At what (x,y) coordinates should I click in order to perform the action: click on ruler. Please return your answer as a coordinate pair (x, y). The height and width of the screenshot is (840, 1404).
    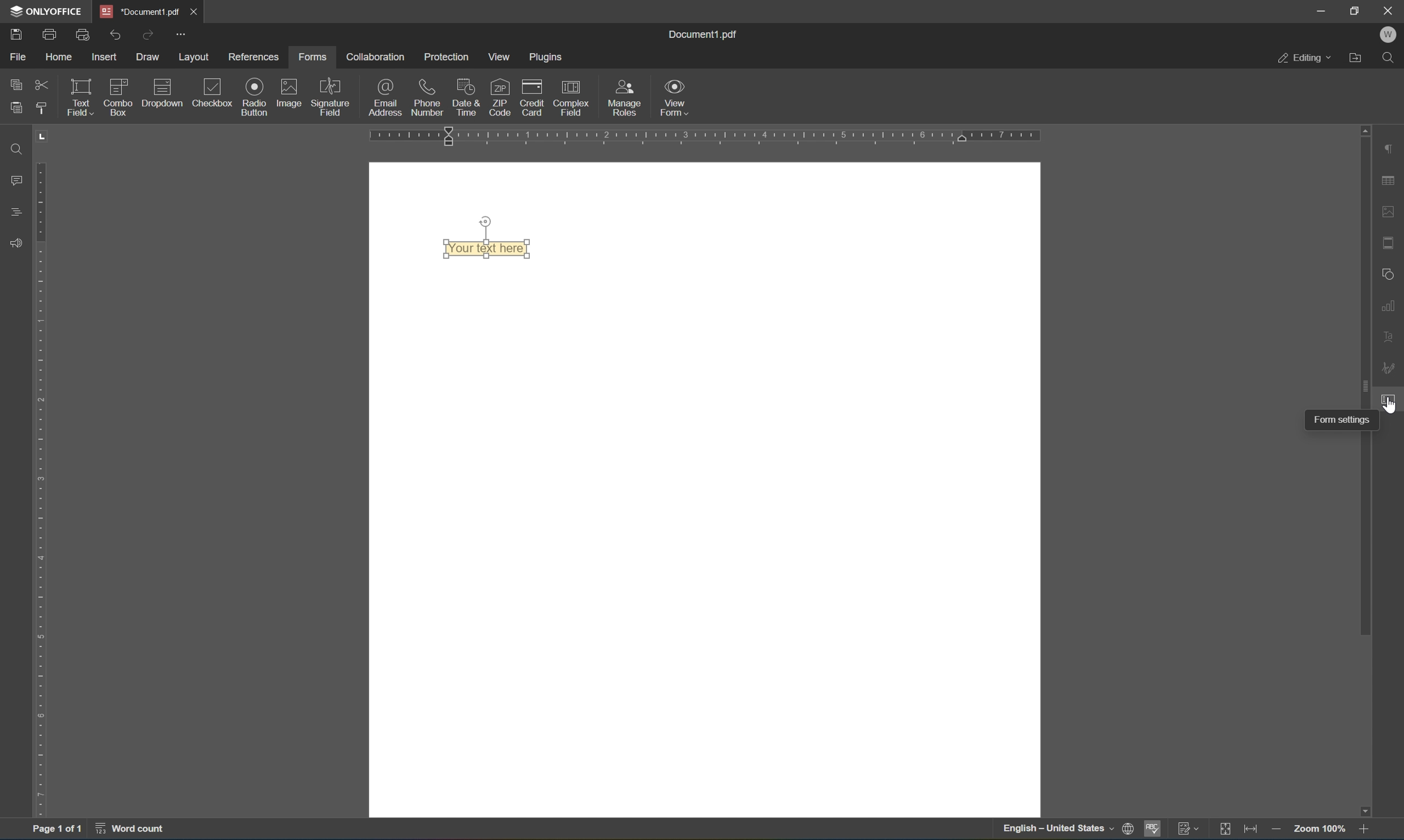
    Looking at the image, I should click on (703, 135).